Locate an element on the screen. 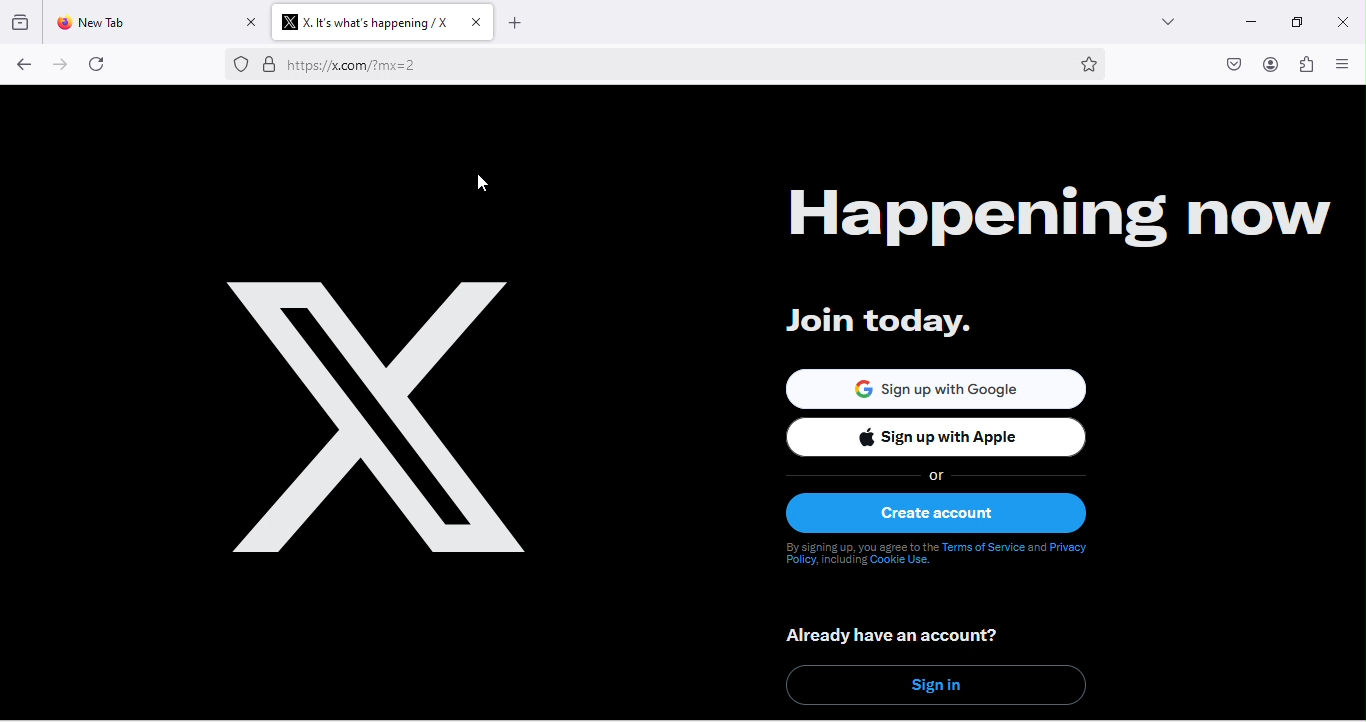 This screenshot has height=722, width=1366. proxy is located at coordinates (239, 64).